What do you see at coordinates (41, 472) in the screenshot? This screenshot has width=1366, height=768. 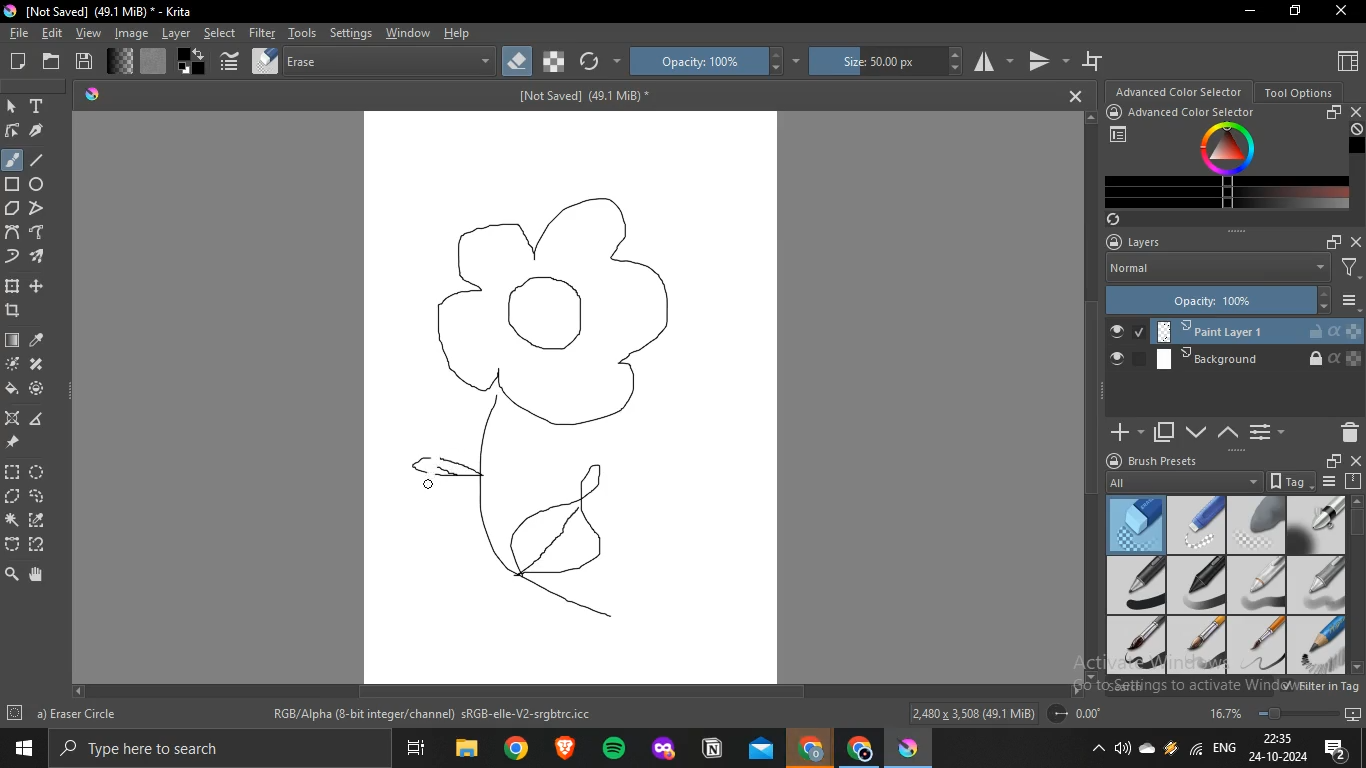 I see `ellptical selection tool` at bounding box center [41, 472].